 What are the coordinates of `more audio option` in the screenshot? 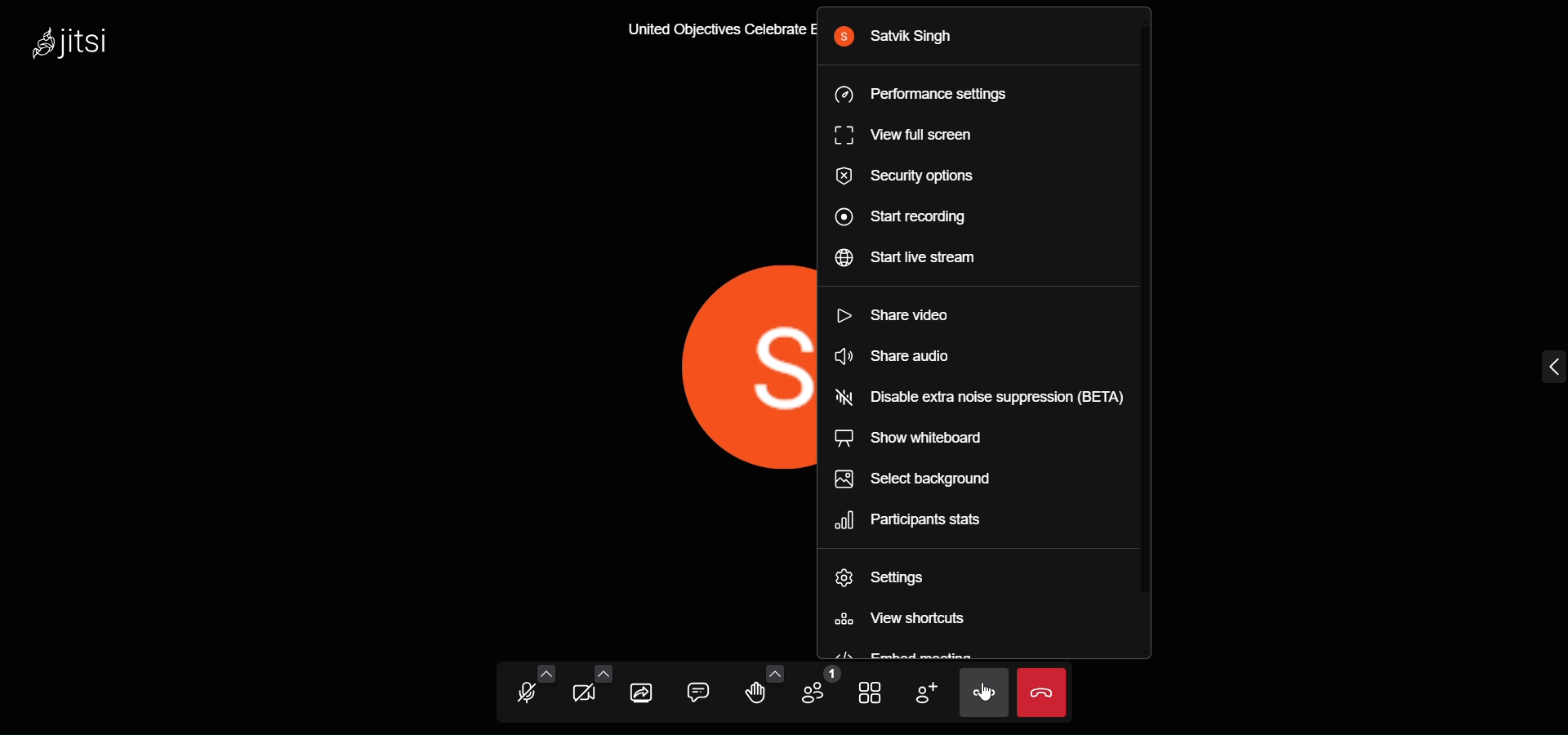 It's located at (544, 672).